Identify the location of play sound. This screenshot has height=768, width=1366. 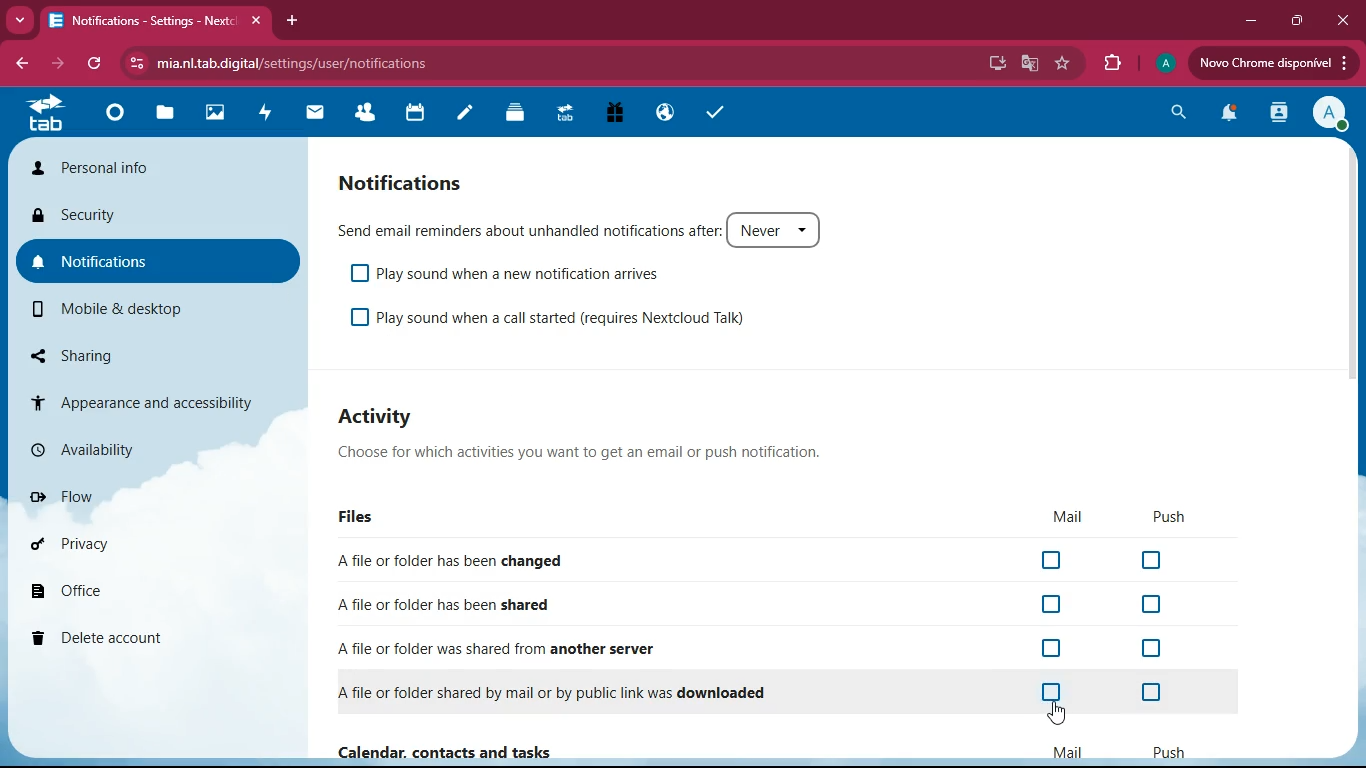
(565, 319).